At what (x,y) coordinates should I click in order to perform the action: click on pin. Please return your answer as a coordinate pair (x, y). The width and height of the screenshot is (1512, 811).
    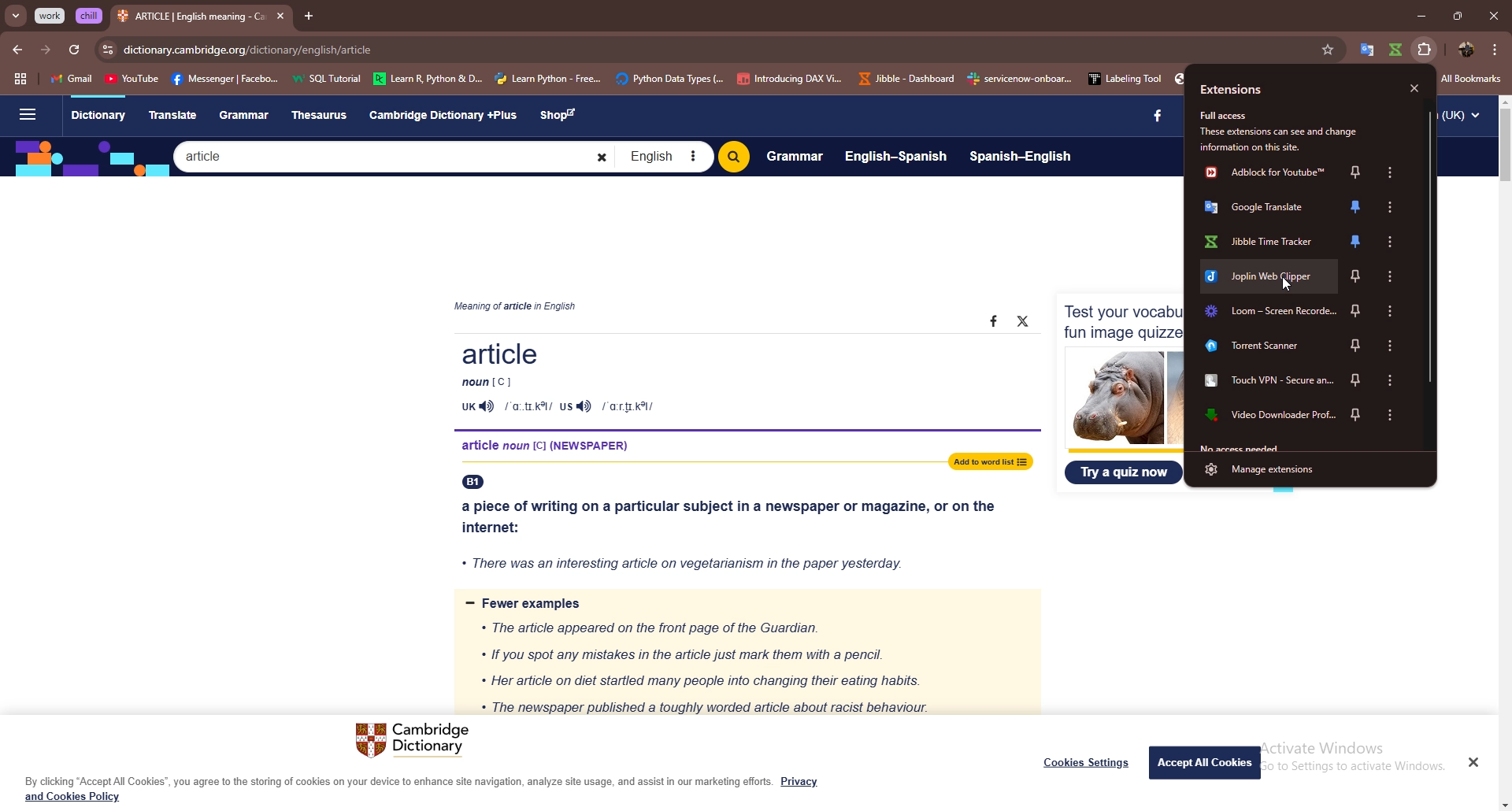
    Looking at the image, I should click on (1358, 309).